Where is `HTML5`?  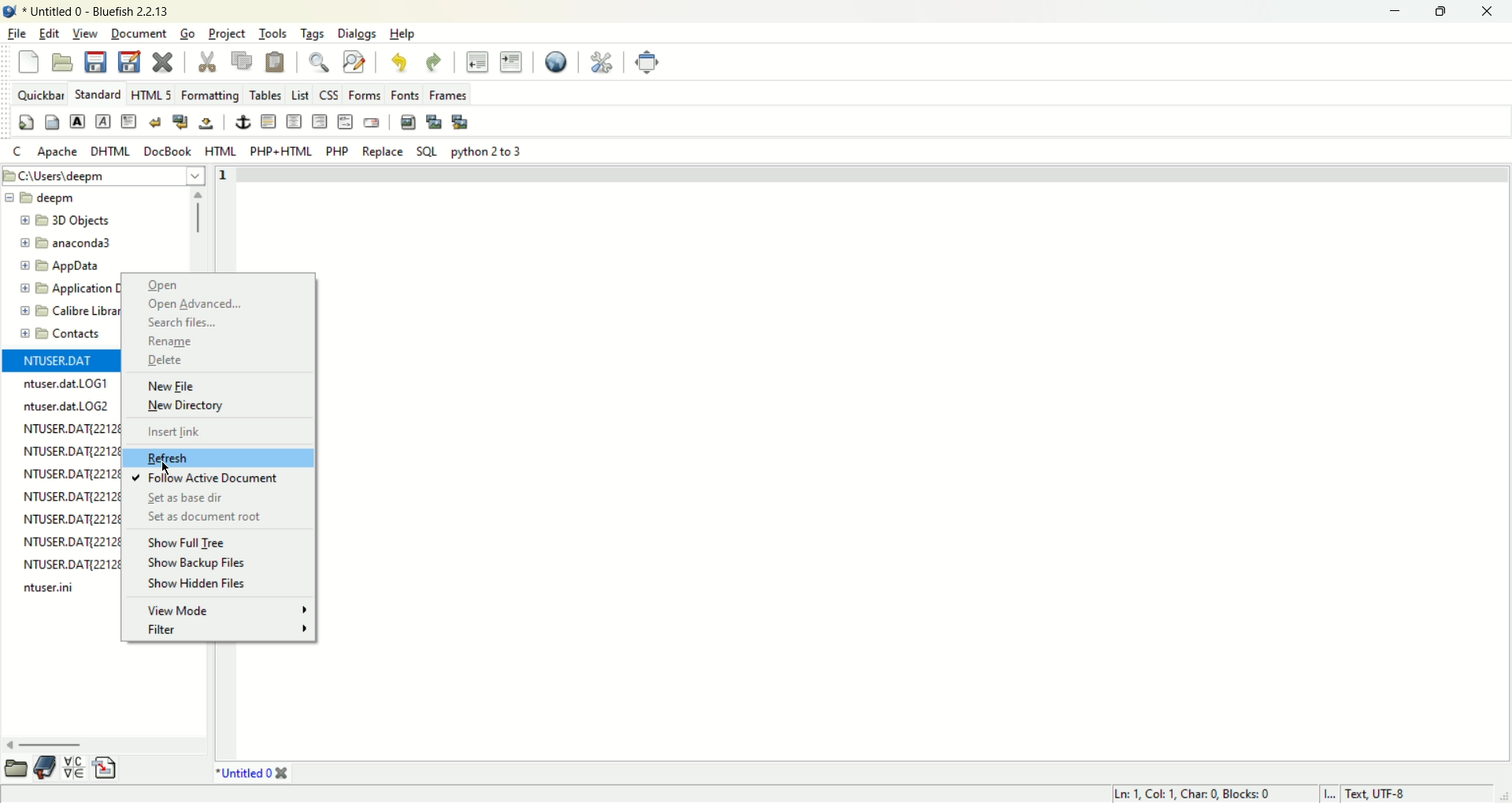
HTML5 is located at coordinates (150, 94).